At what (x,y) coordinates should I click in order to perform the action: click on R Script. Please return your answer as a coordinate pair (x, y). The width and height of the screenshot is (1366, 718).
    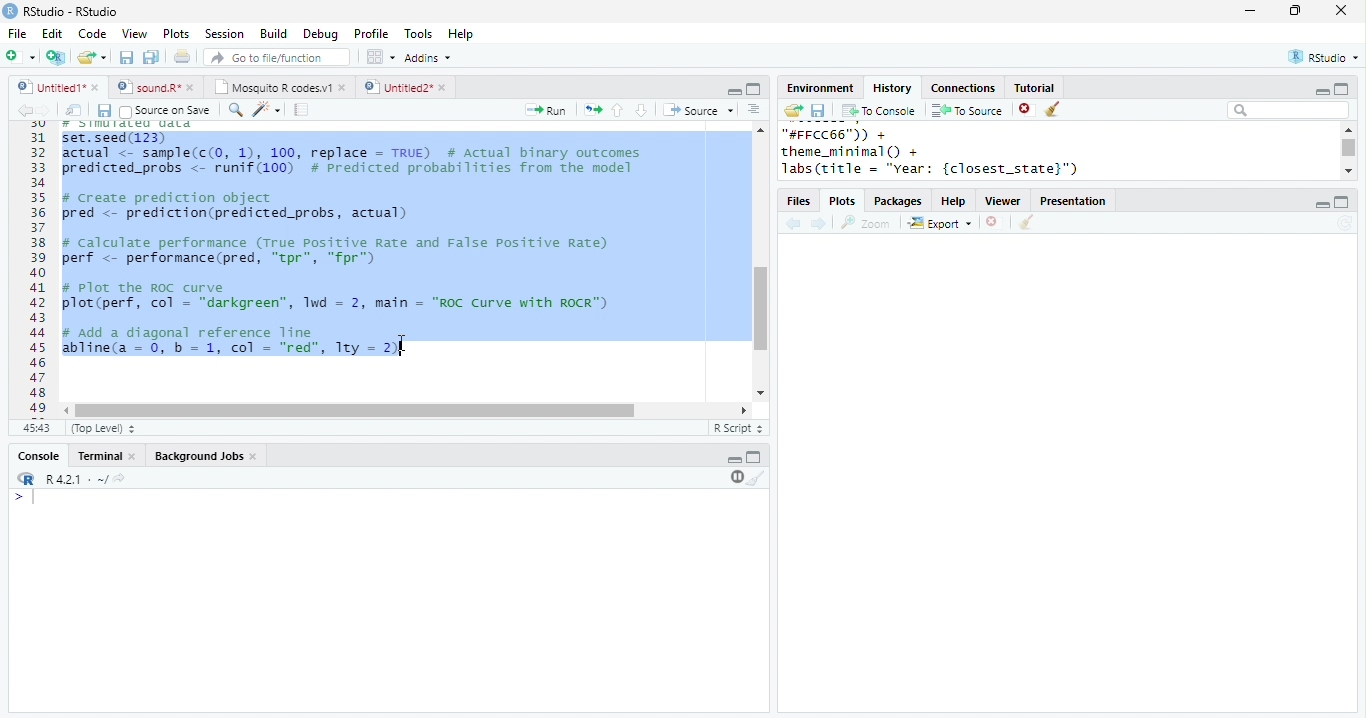
    Looking at the image, I should click on (739, 427).